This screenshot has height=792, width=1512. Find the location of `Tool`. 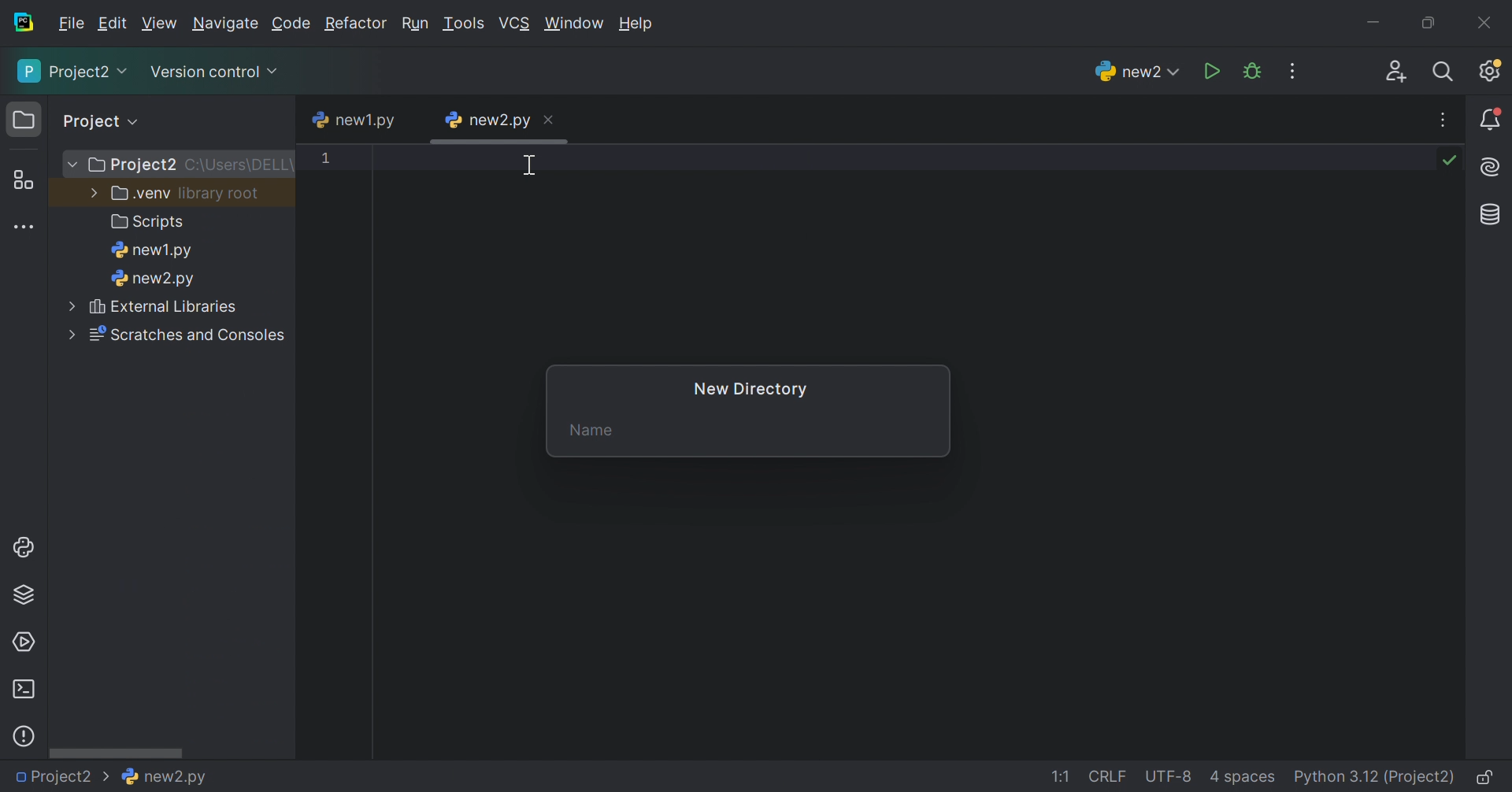

Tool is located at coordinates (464, 25).